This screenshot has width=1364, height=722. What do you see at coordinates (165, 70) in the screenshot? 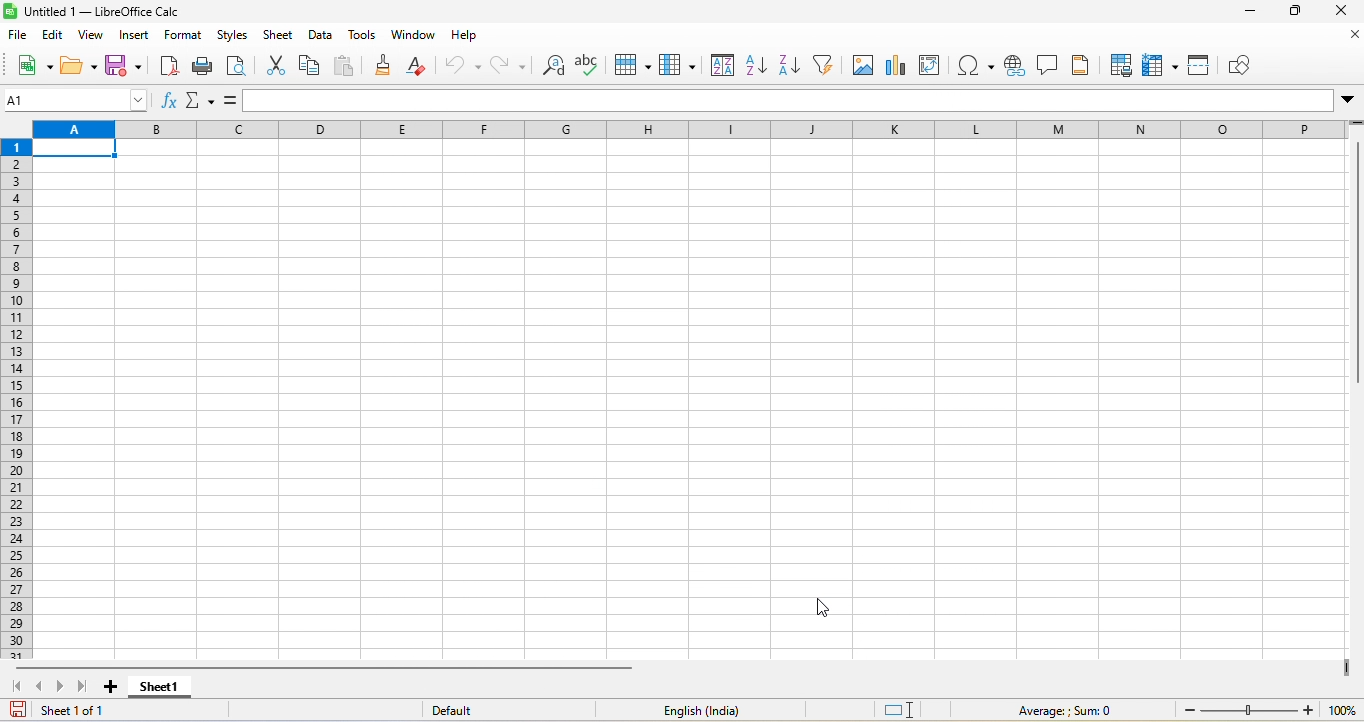
I see `export direct as pdf` at bounding box center [165, 70].